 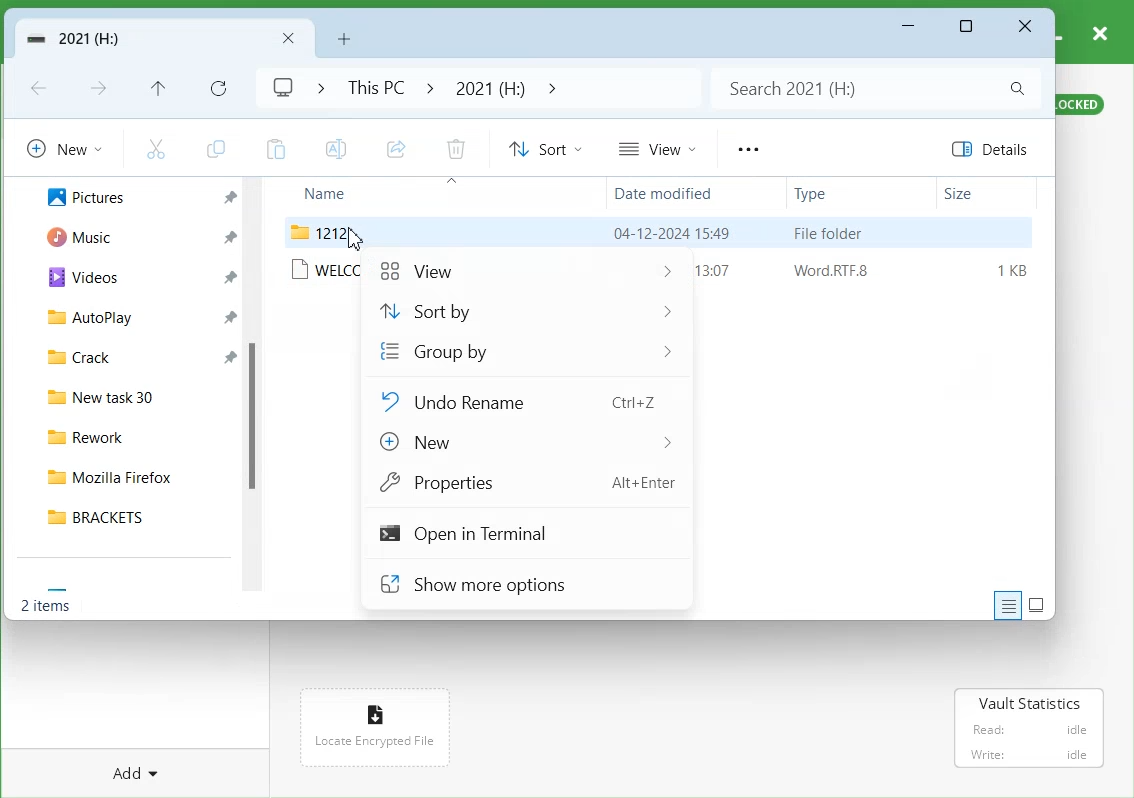 I want to click on Vault Folder, so click(x=137, y=37).